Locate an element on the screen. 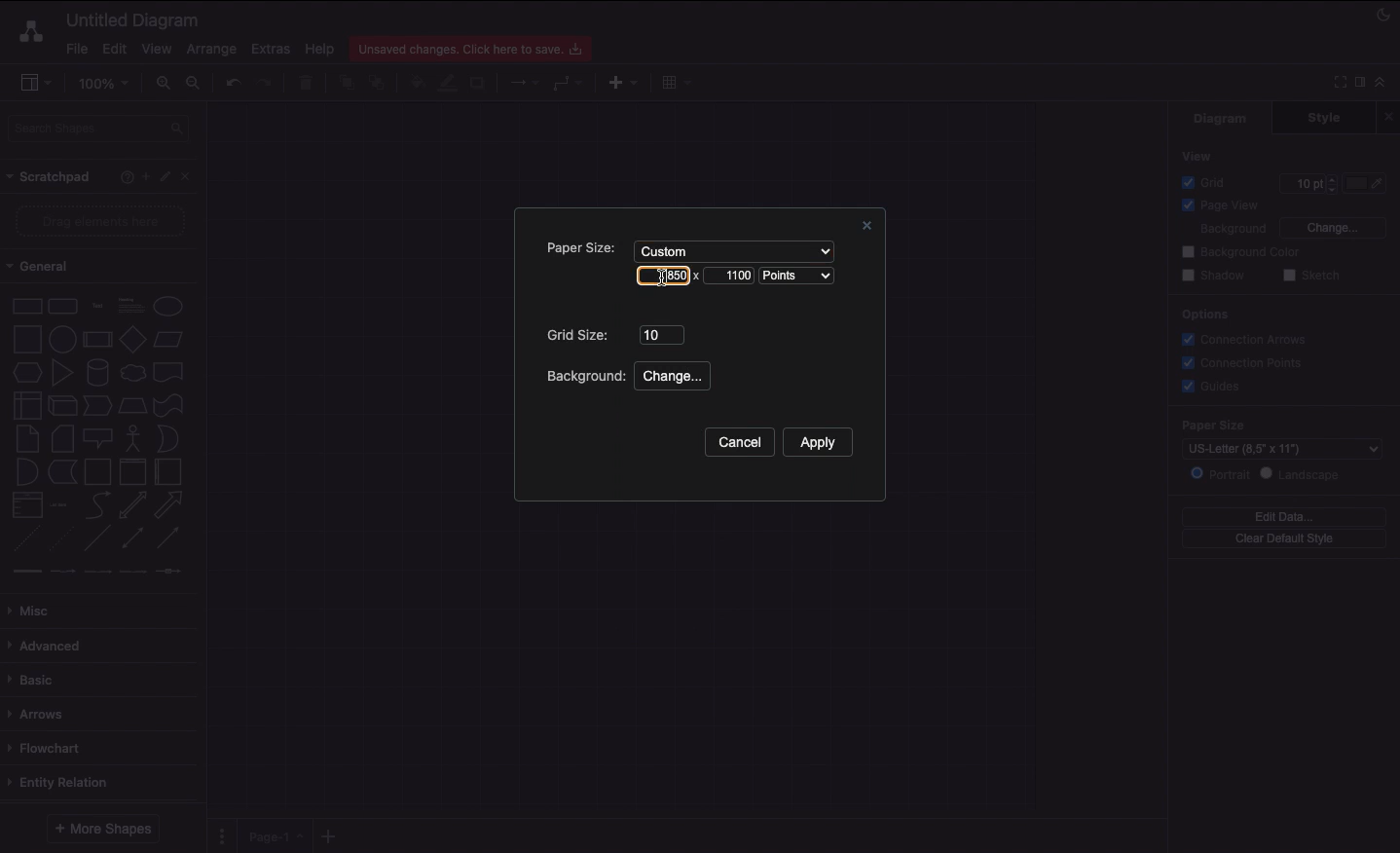  Container is located at coordinates (97, 471).